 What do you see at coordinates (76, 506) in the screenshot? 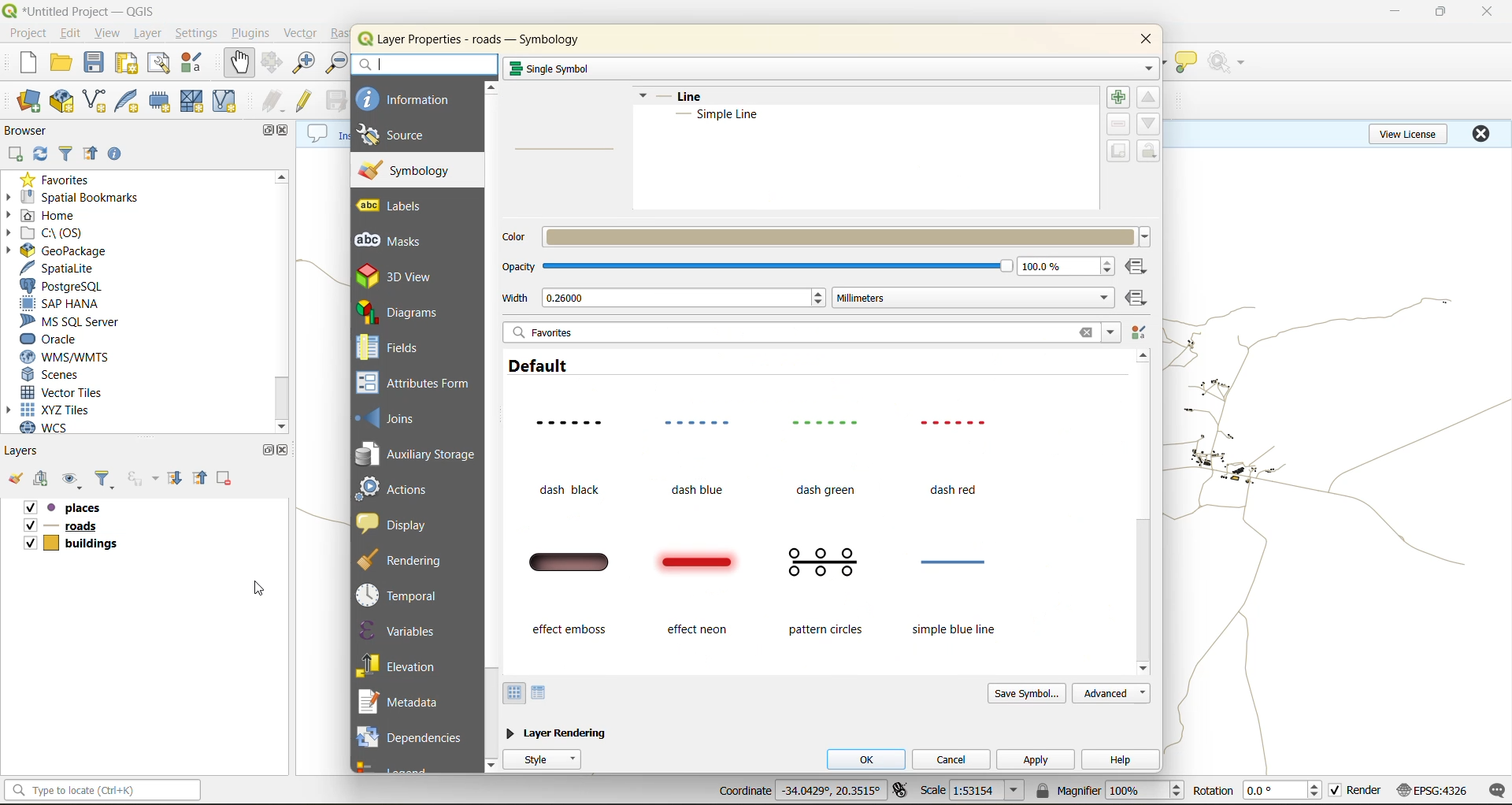
I see `places` at bounding box center [76, 506].